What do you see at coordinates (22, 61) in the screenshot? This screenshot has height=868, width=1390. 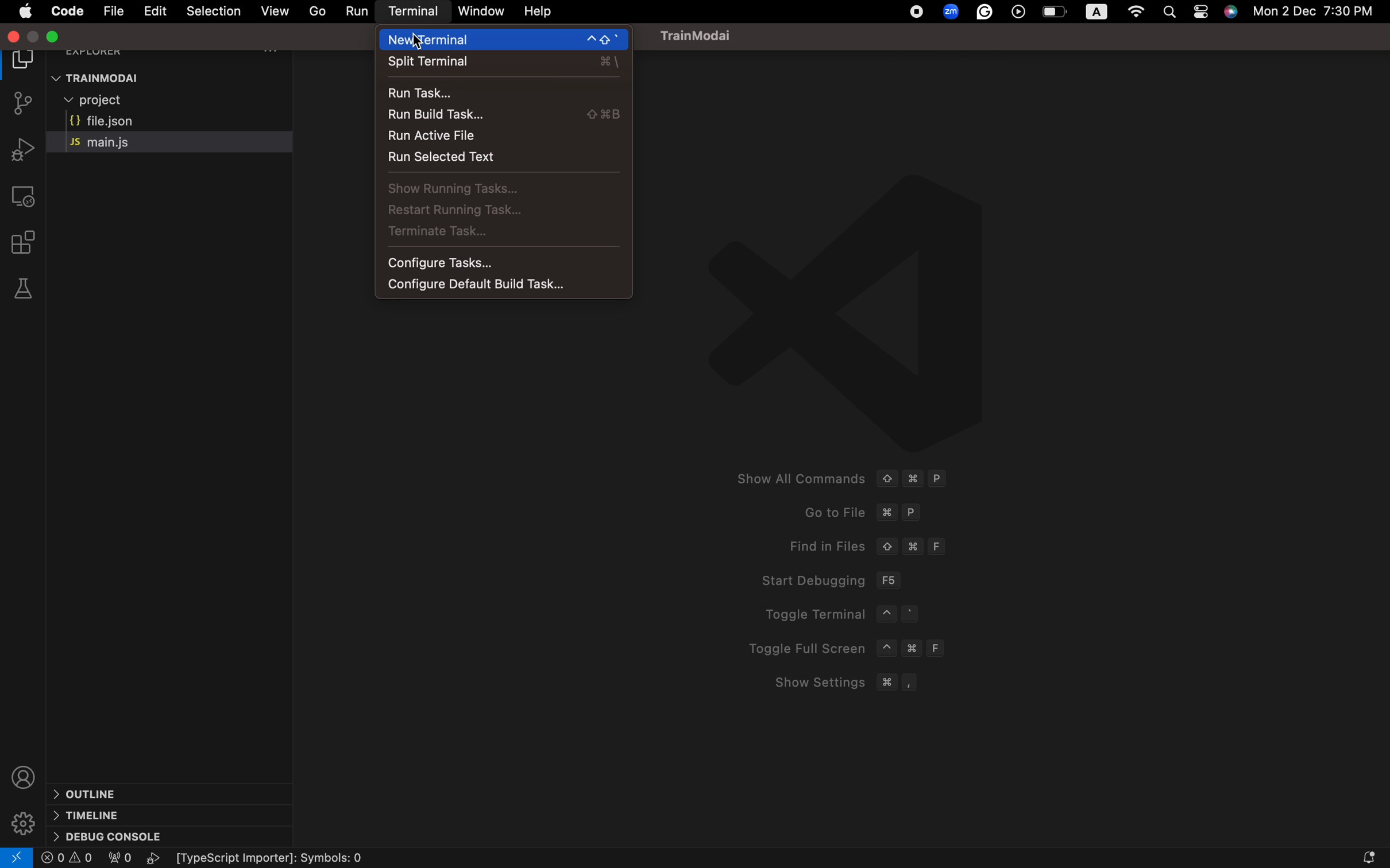 I see `folder` at bounding box center [22, 61].